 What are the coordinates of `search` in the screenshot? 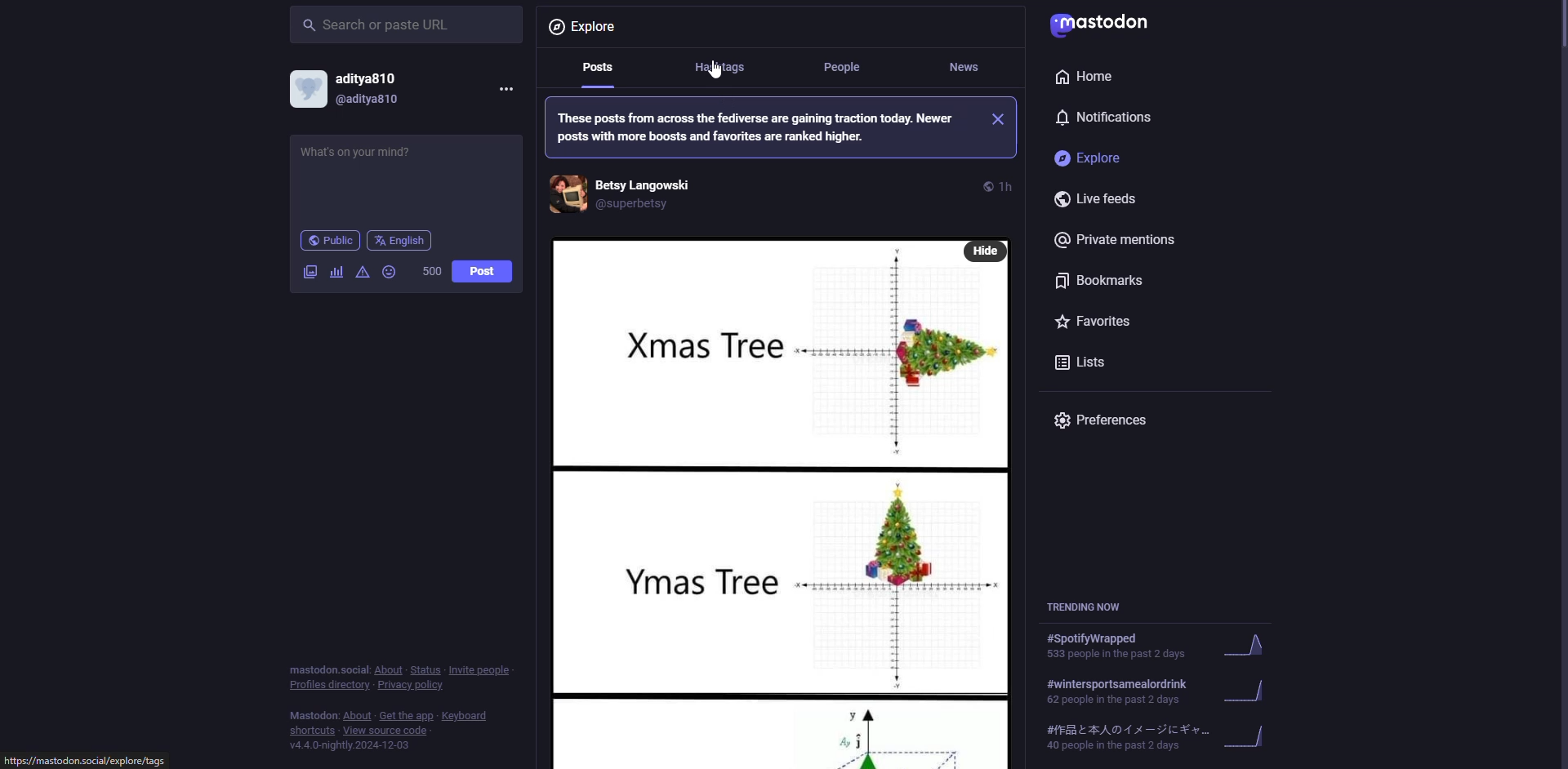 It's located at (383, 25).